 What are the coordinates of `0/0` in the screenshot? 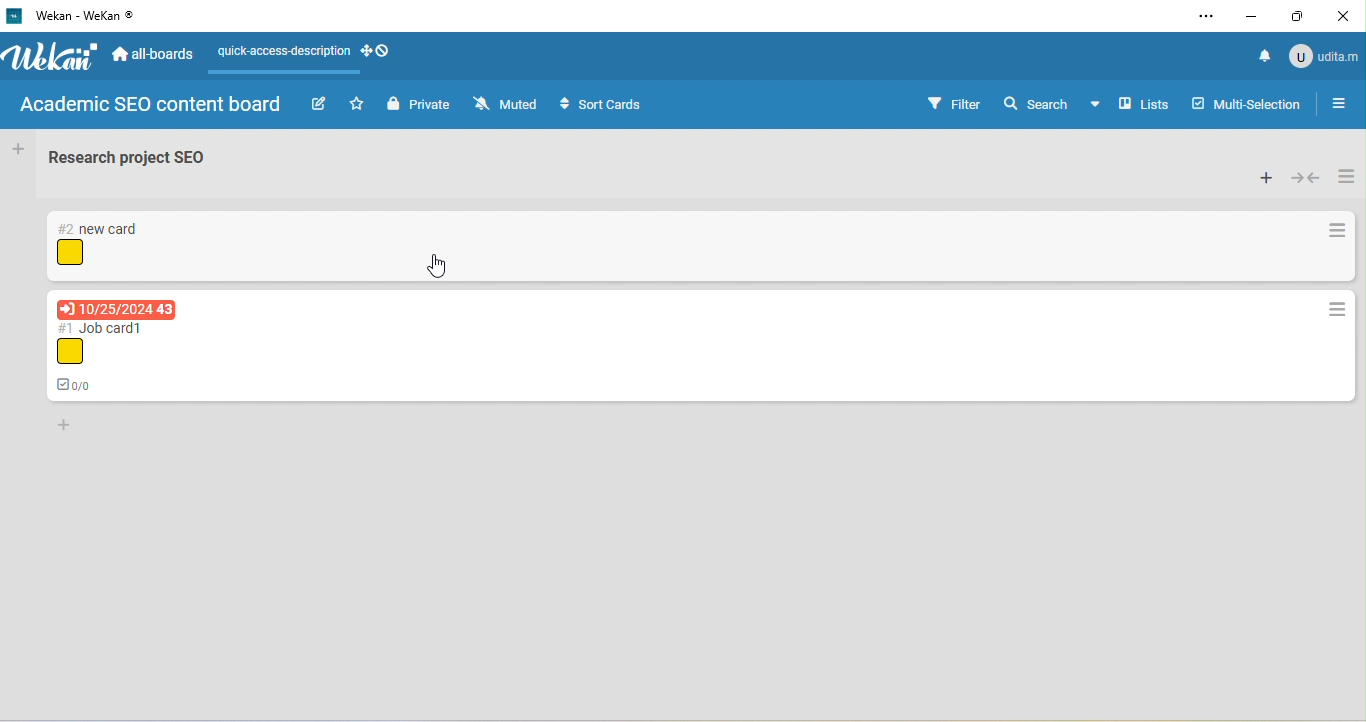 It's located at (81, 383).